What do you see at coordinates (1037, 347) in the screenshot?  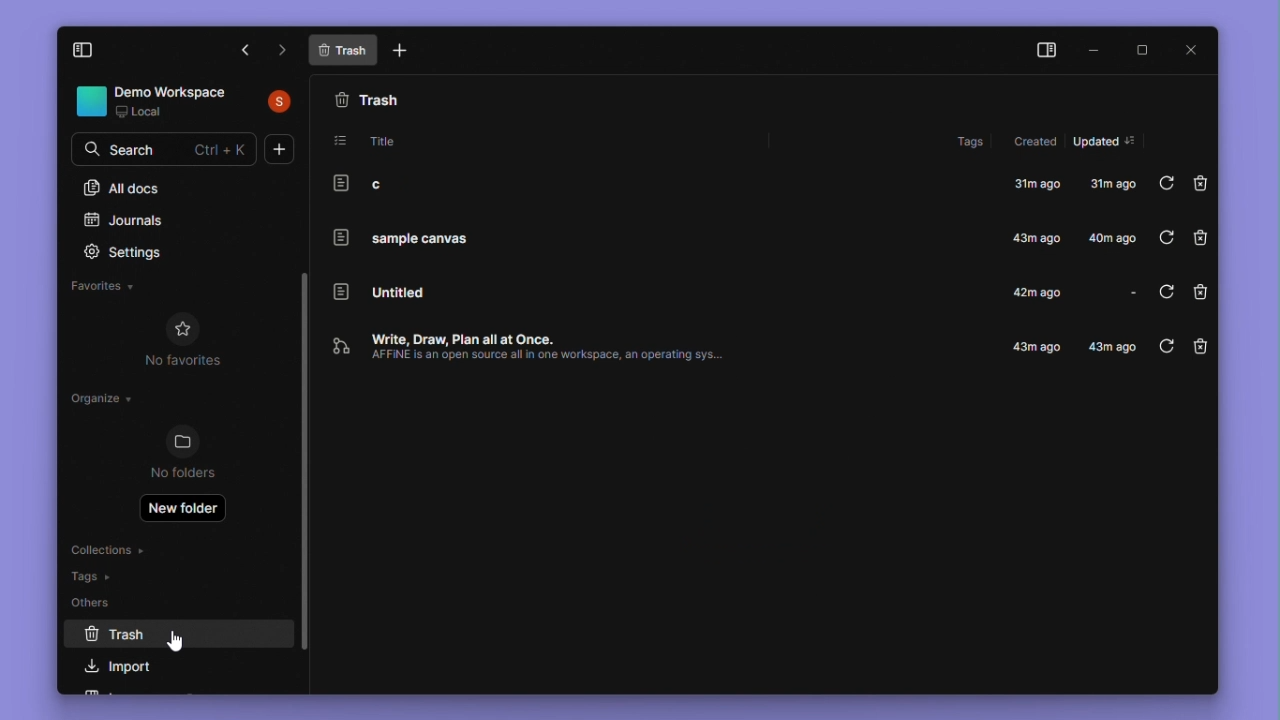 I see `time created` at bounding box center [1037, 347].